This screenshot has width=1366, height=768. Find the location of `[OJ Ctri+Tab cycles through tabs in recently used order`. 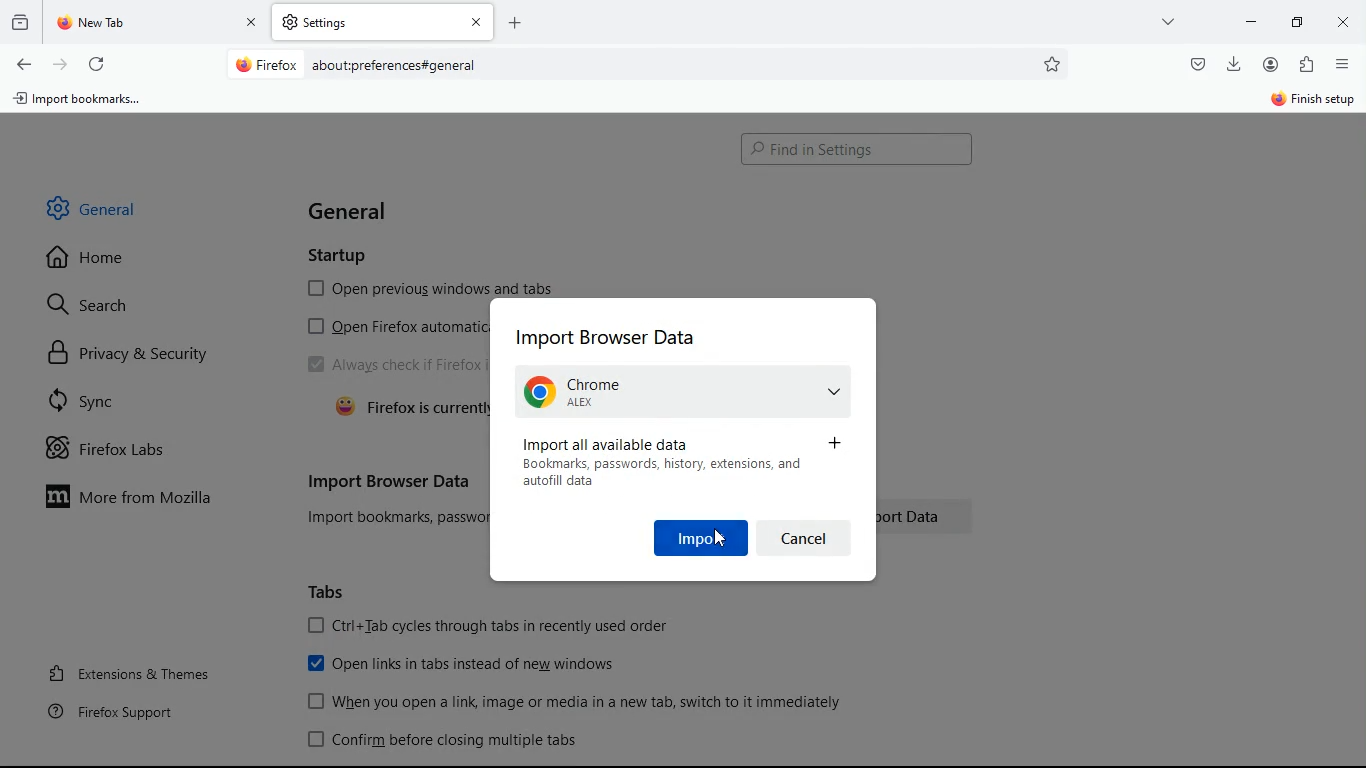

[OJ Ctri+Tab cycles through tabs in recently used order is located at coordinates (489, 626).